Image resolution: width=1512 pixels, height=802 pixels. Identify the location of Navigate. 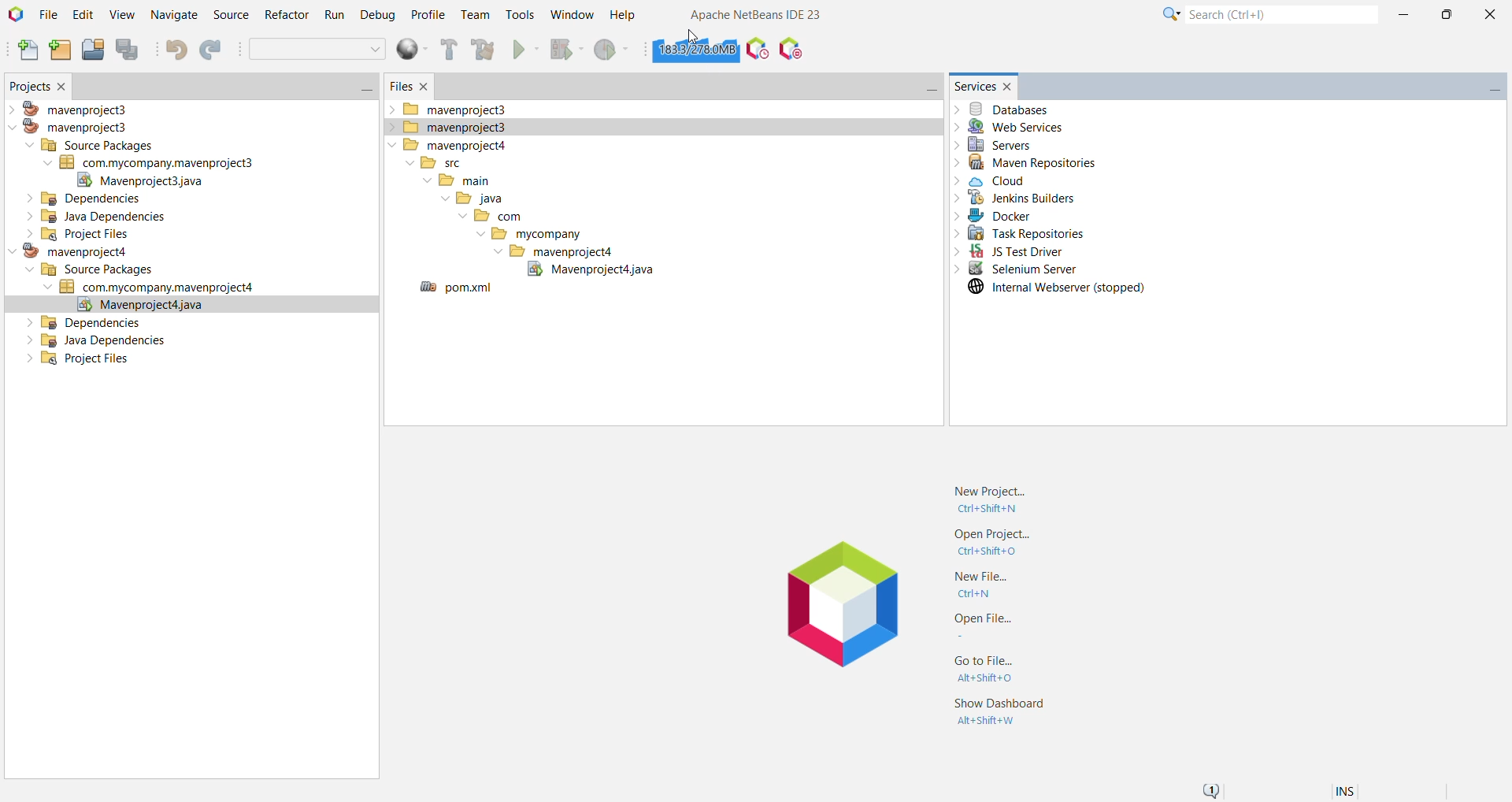
(172, 16).